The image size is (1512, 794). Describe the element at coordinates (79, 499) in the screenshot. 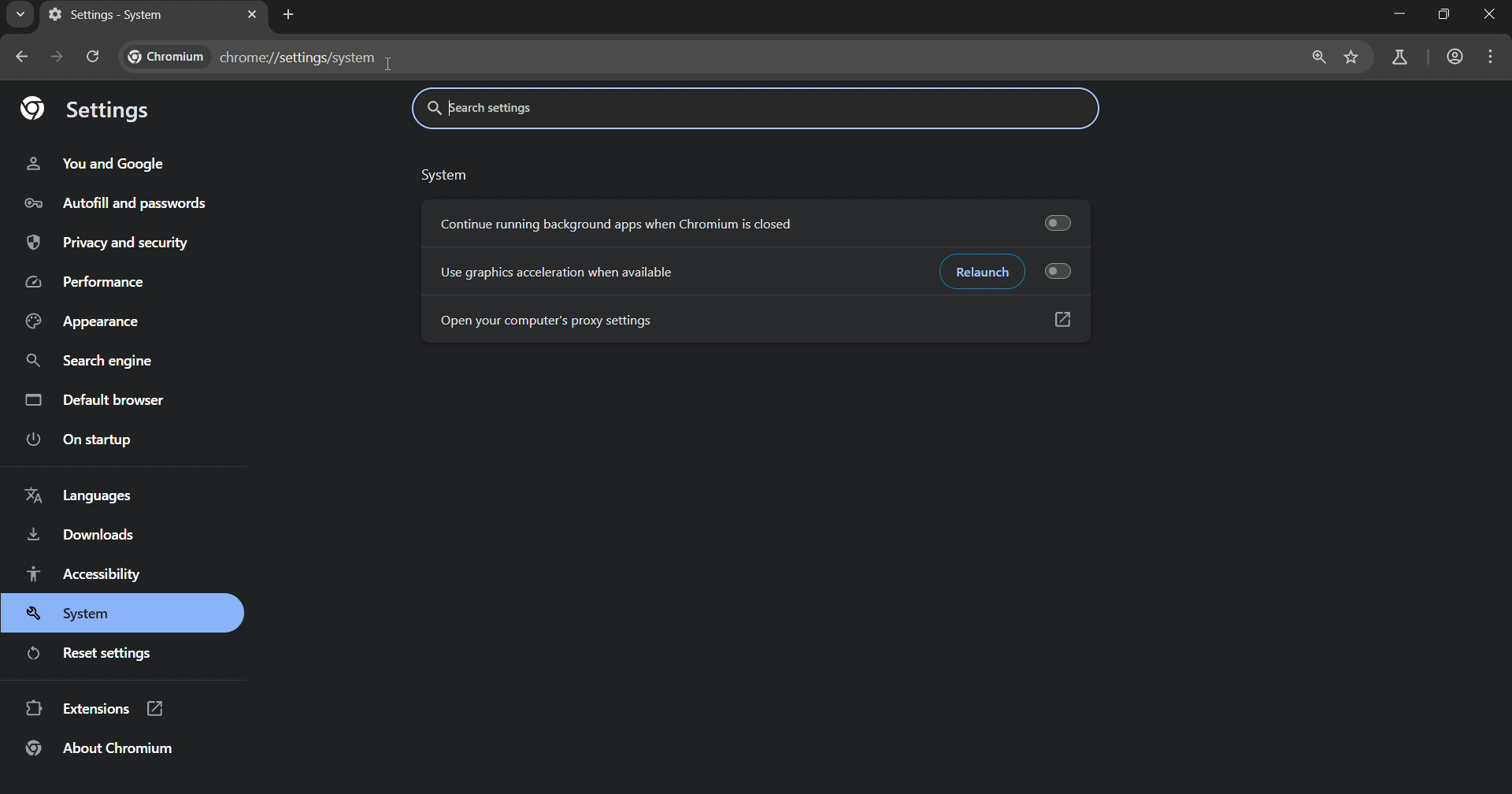

I see `languages` at that location.